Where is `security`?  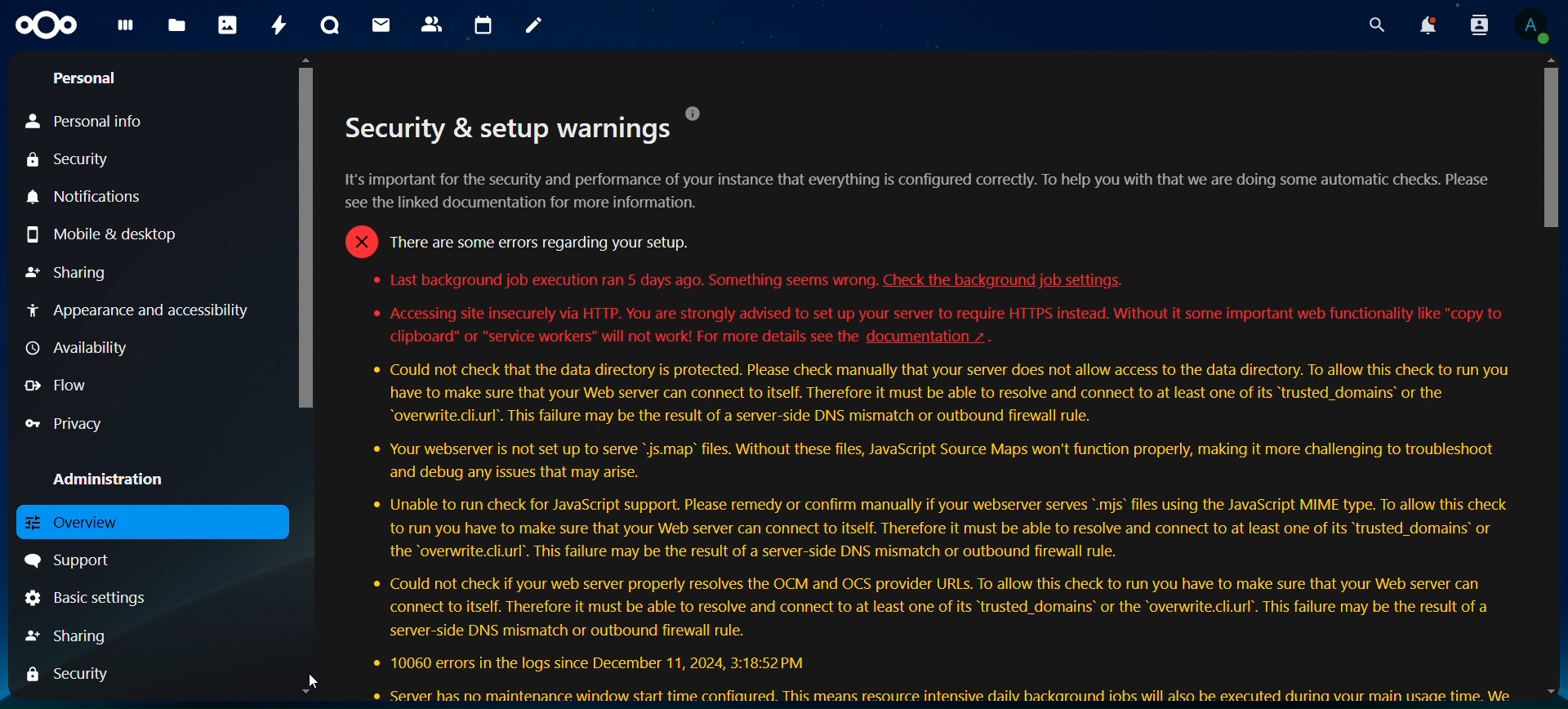 security is located at coordinates (73, 675).